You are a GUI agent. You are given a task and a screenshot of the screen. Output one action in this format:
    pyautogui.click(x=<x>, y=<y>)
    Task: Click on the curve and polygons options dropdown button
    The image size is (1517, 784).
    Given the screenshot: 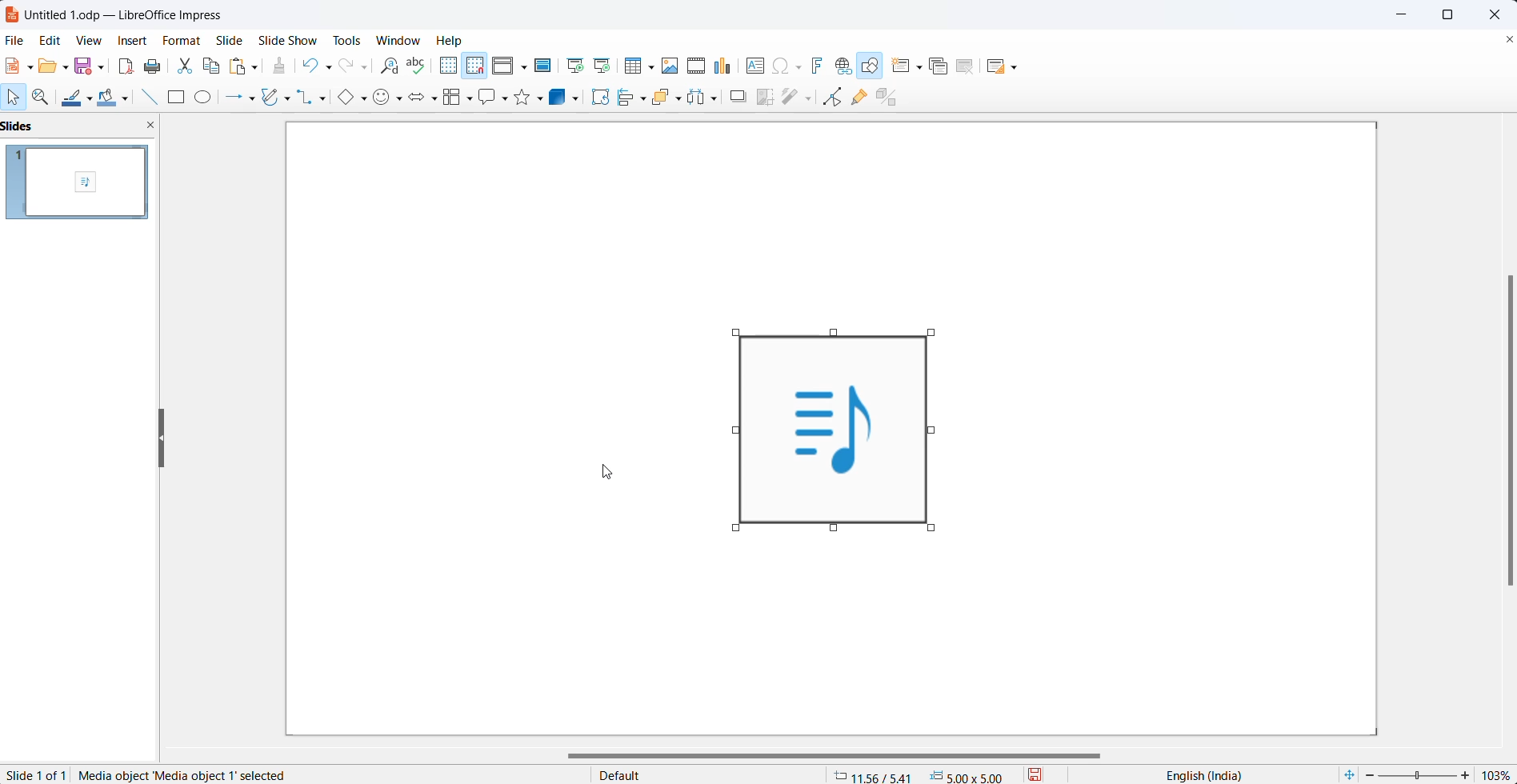 What is the action you would take?
    pyautogui.click(x=289, y=98)
    